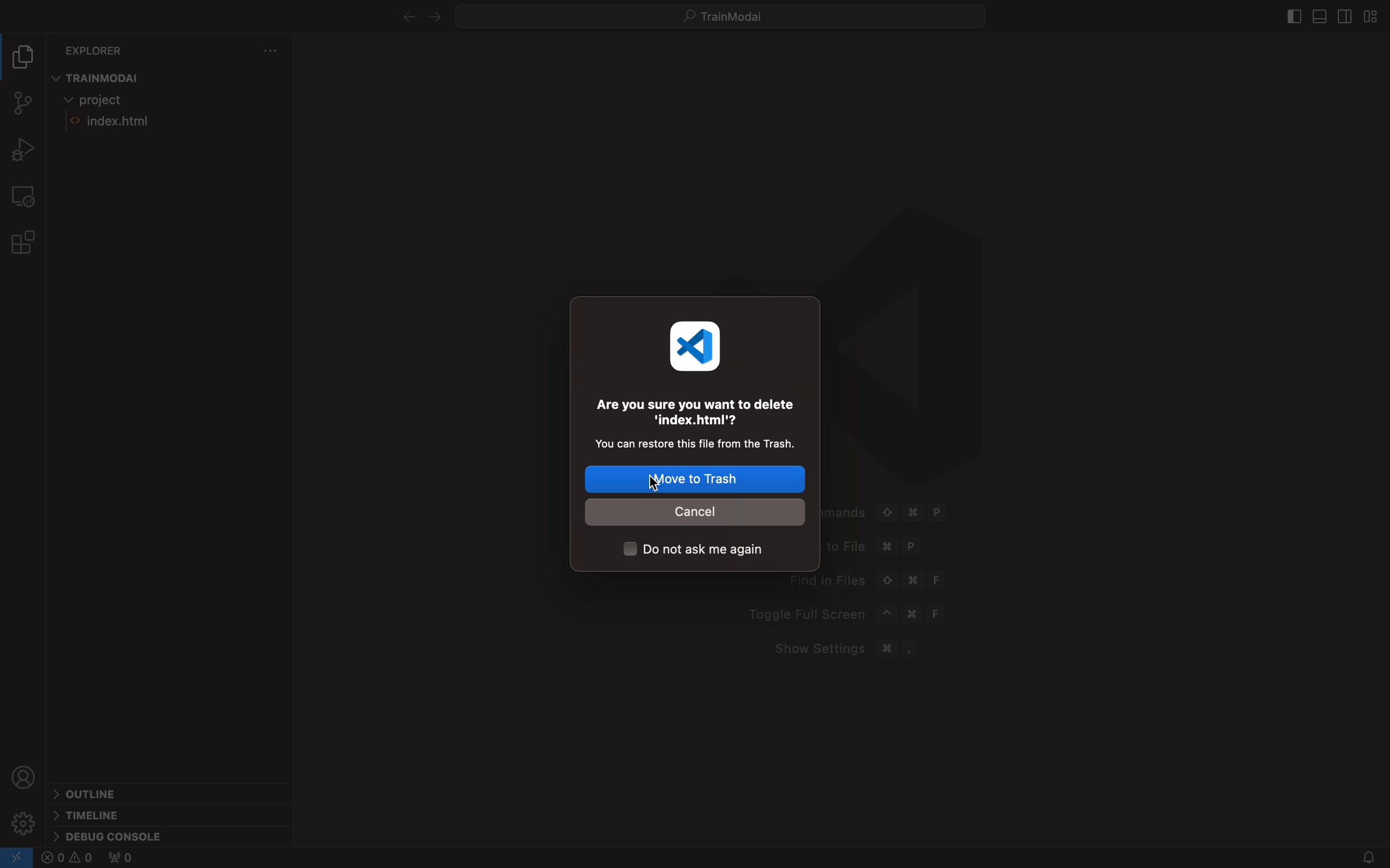 The height and width of the screenshot is (868, 1390). What do you see at coordinates (1318, 18) in the screenshot?
I see `toggle primary bar` at bounding box center [1318, 18].